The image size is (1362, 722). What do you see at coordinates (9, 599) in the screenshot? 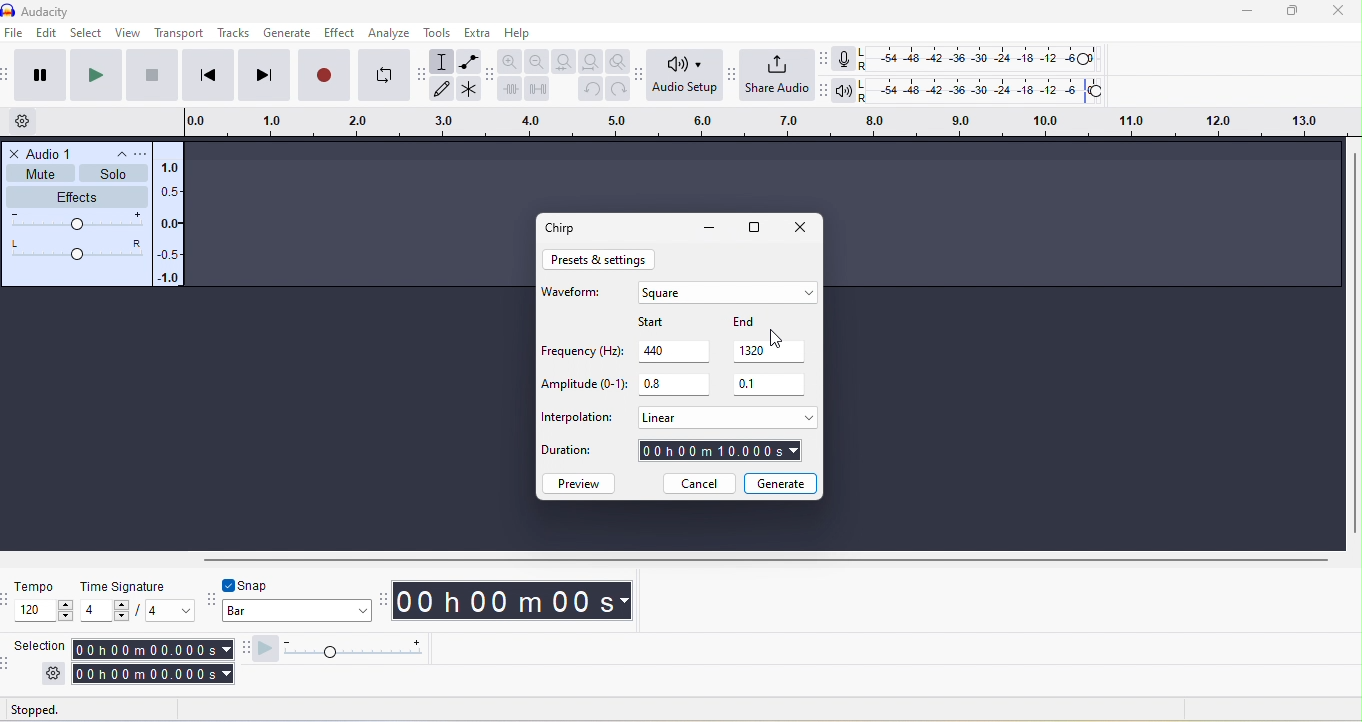
I see `audacity time signature toolbar` at bounding box center [9, 599].